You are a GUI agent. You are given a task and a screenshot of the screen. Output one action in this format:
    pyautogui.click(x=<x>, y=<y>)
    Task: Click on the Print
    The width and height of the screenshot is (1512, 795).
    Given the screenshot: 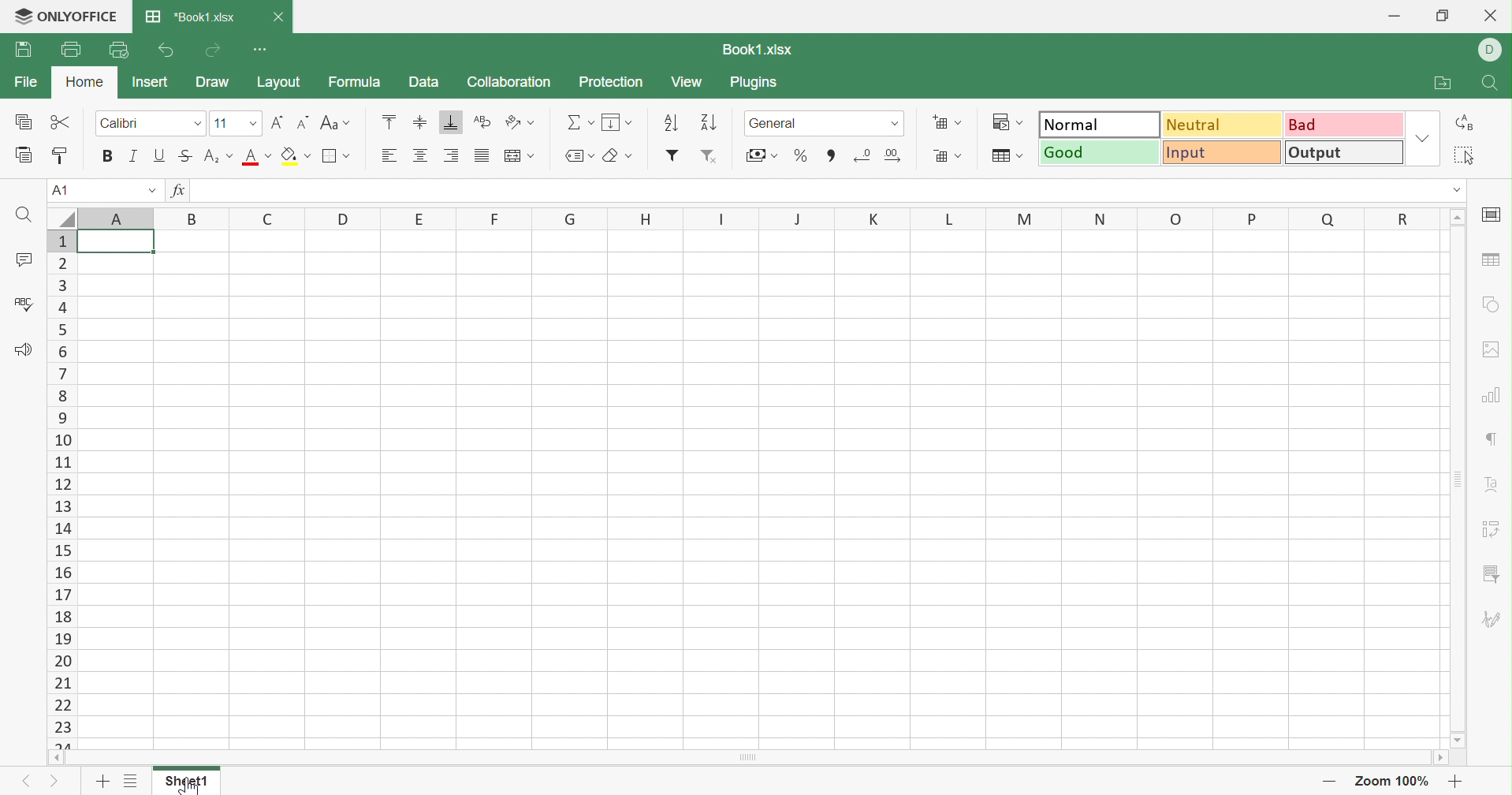 What is the action you would take?
    pyautogui.click(x=71, y=48)
    